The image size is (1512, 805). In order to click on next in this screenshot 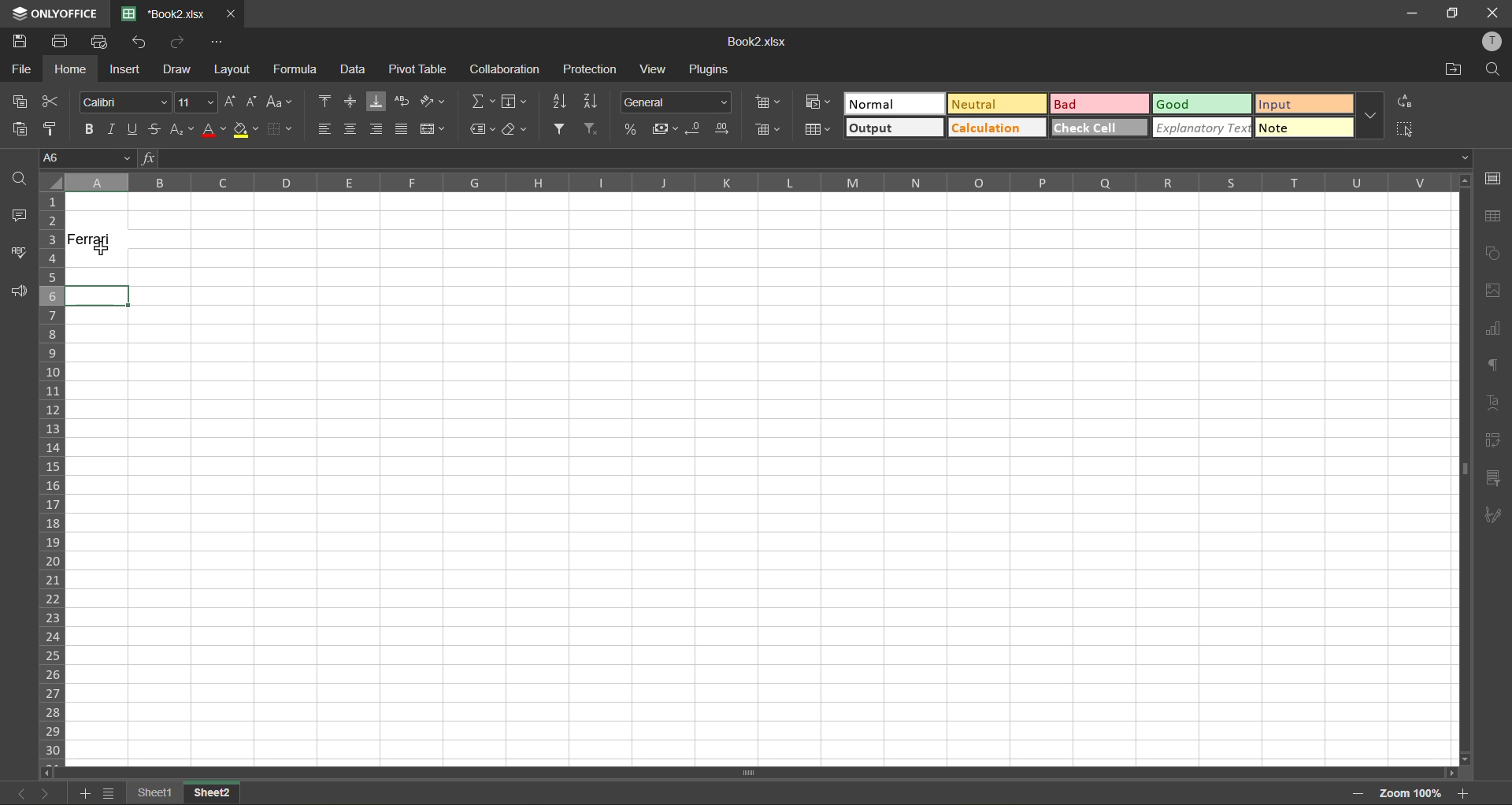, I will do `click(44, 794)`.